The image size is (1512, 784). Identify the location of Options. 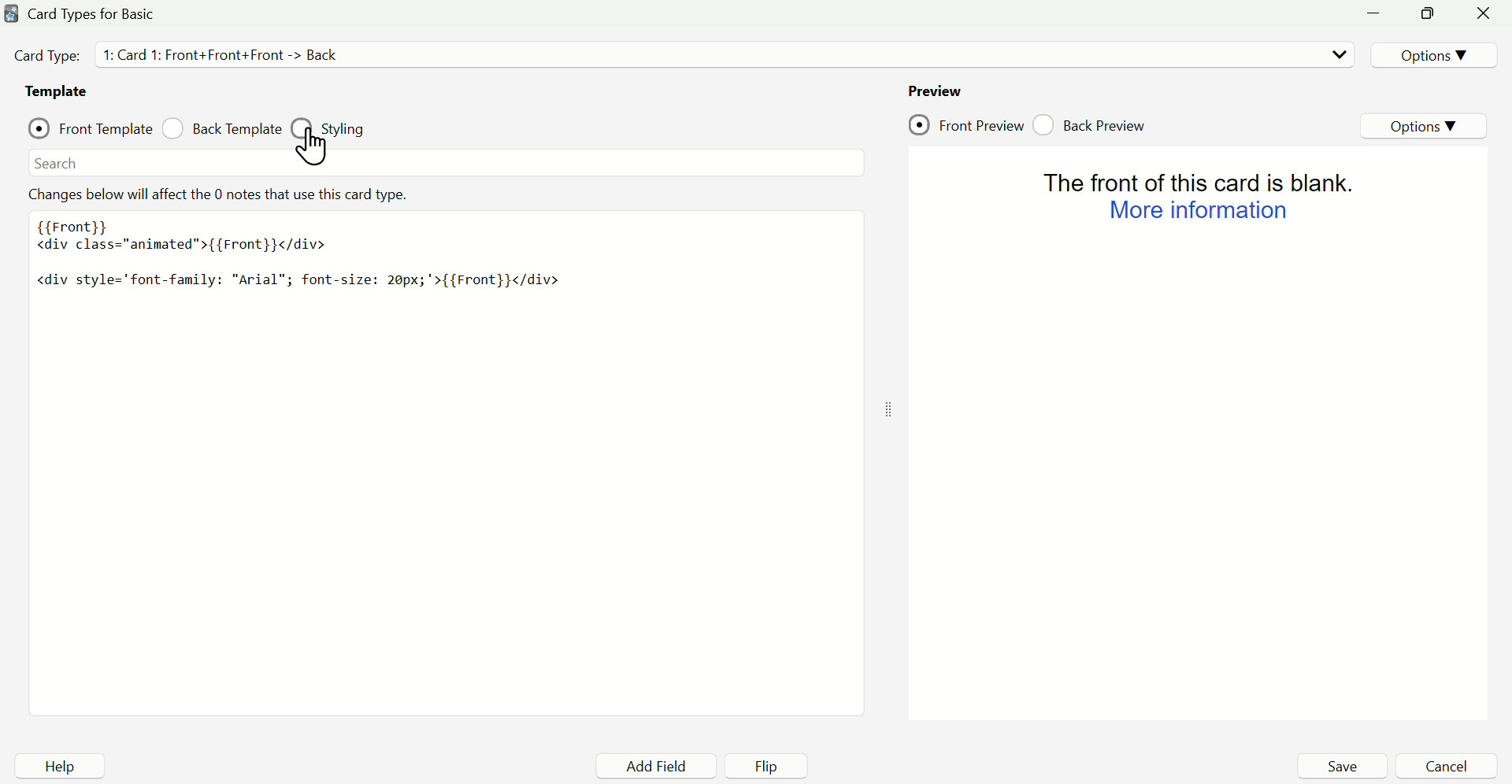
(1426, 125).